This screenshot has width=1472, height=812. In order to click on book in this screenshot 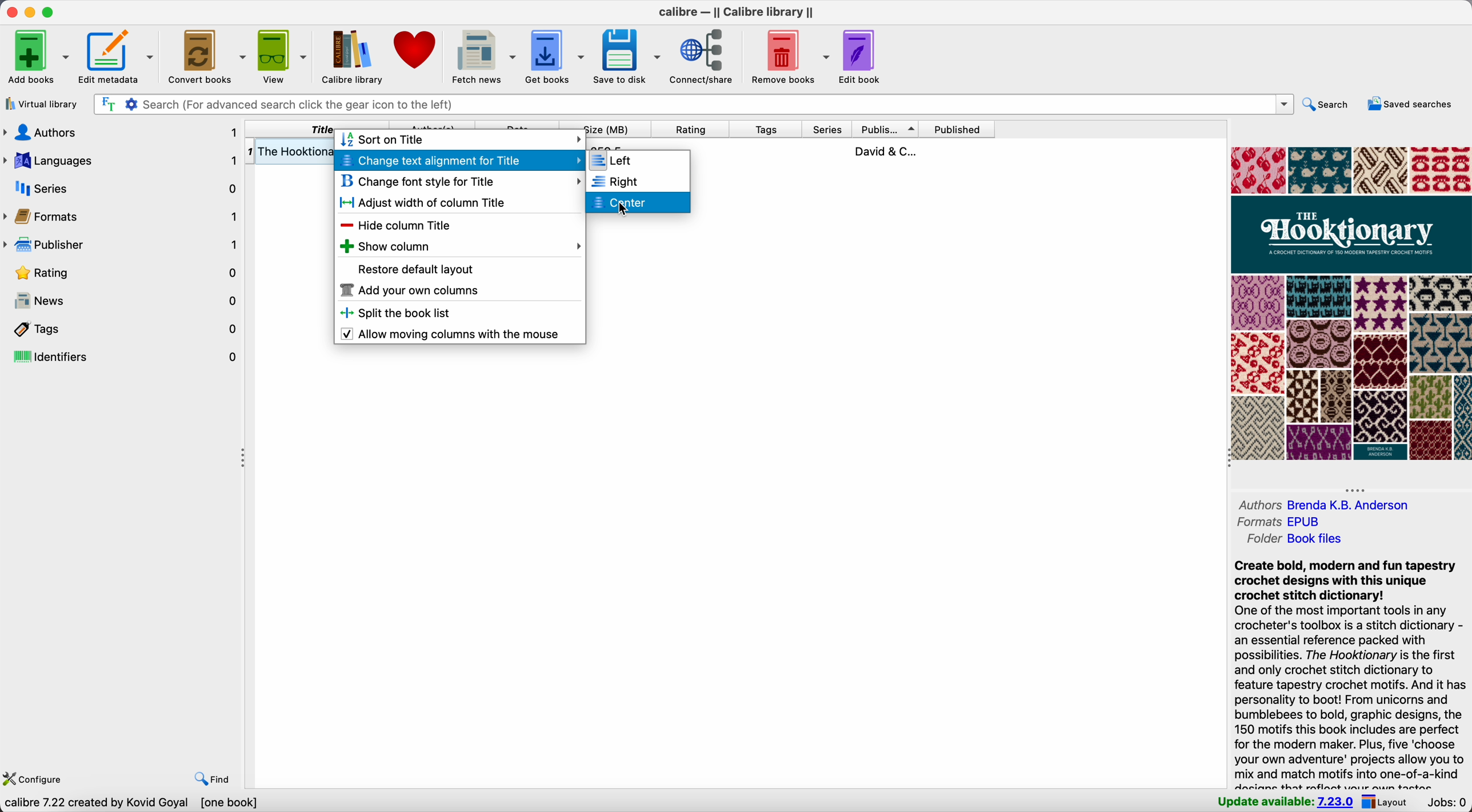, I will do `click(844, 151)`.